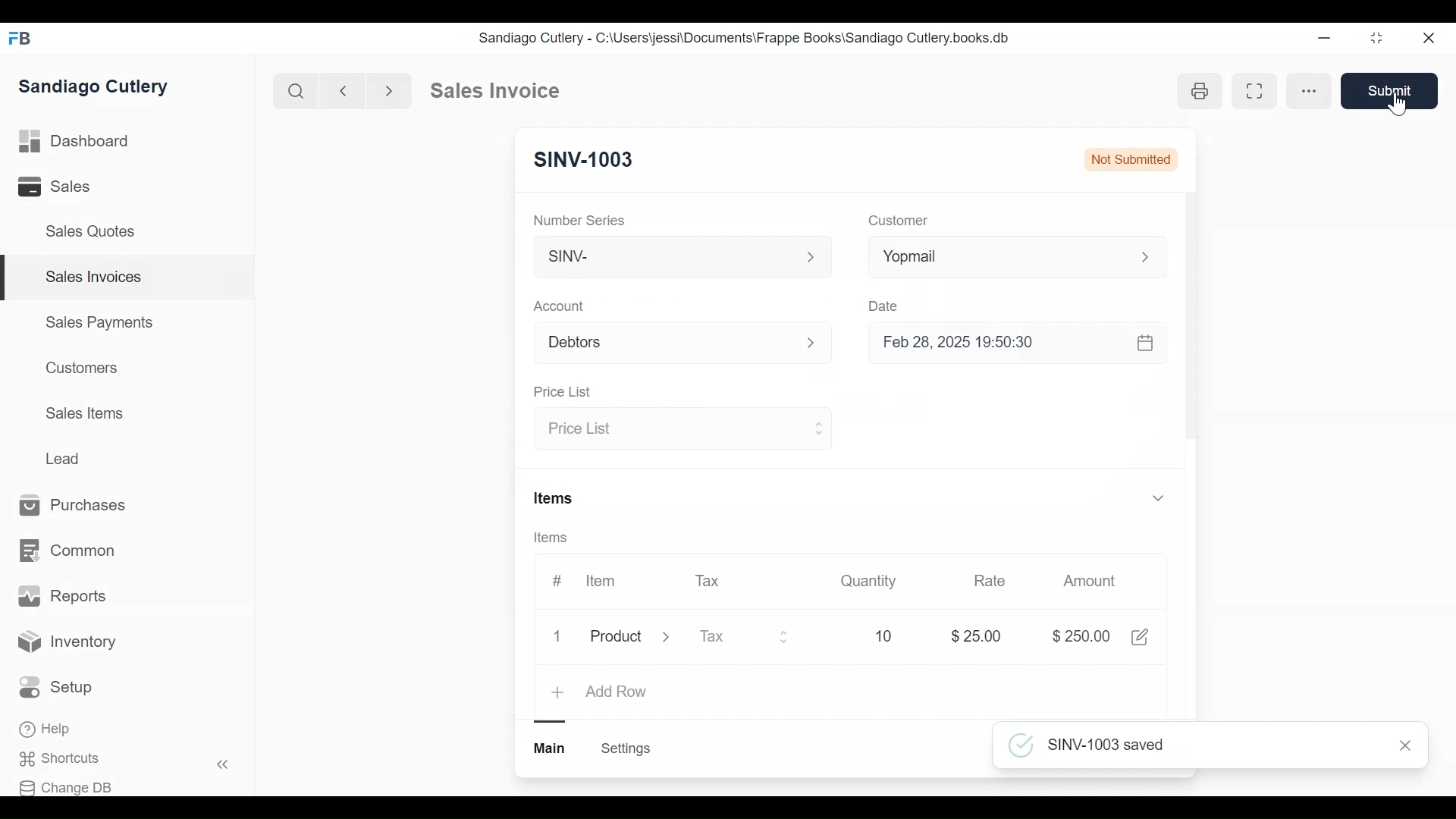  Describe the element at coordinates (94, 278) in the screenshot. I see `Sales Invoices` at that location.